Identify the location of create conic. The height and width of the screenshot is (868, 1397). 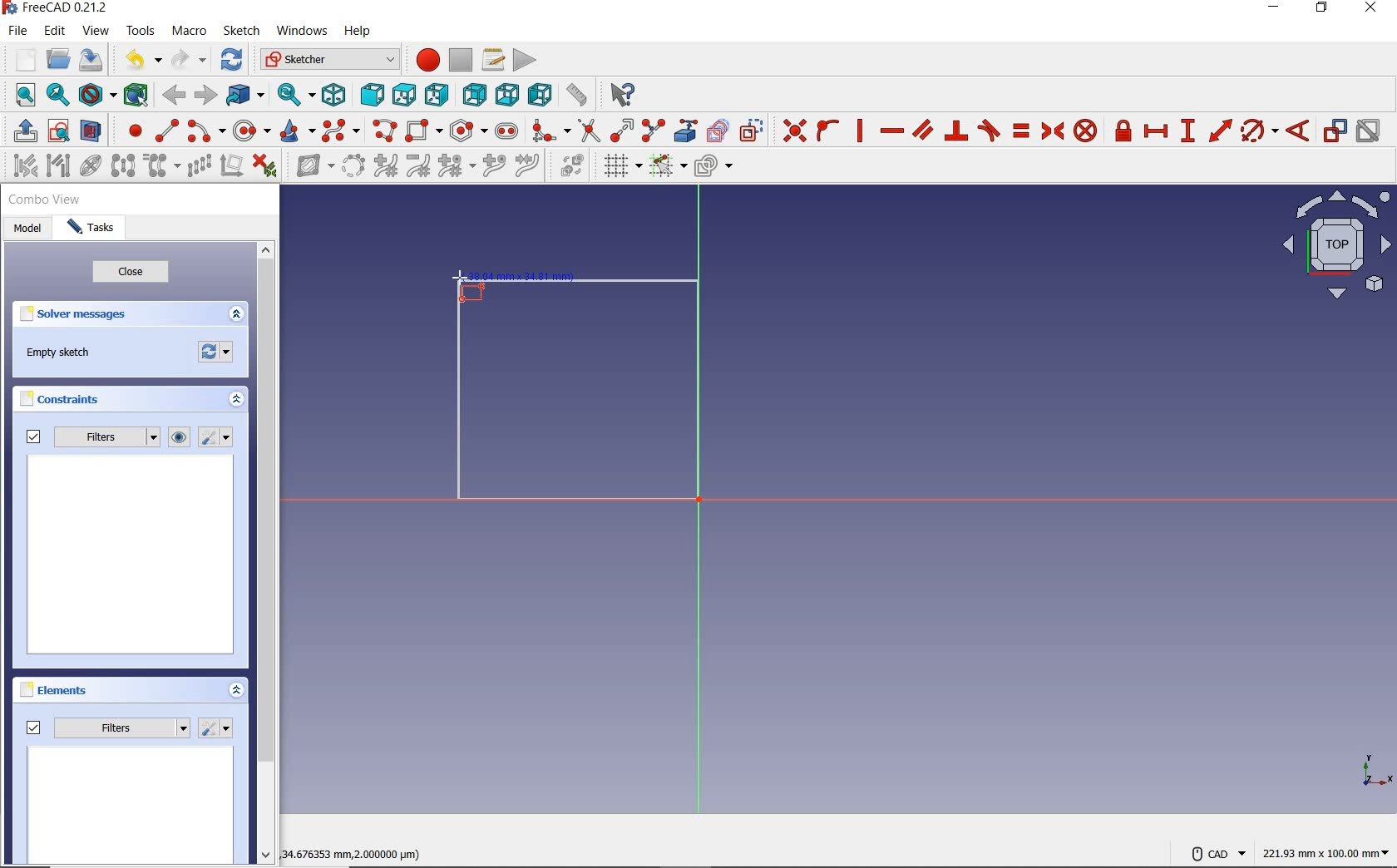
(297, 132).